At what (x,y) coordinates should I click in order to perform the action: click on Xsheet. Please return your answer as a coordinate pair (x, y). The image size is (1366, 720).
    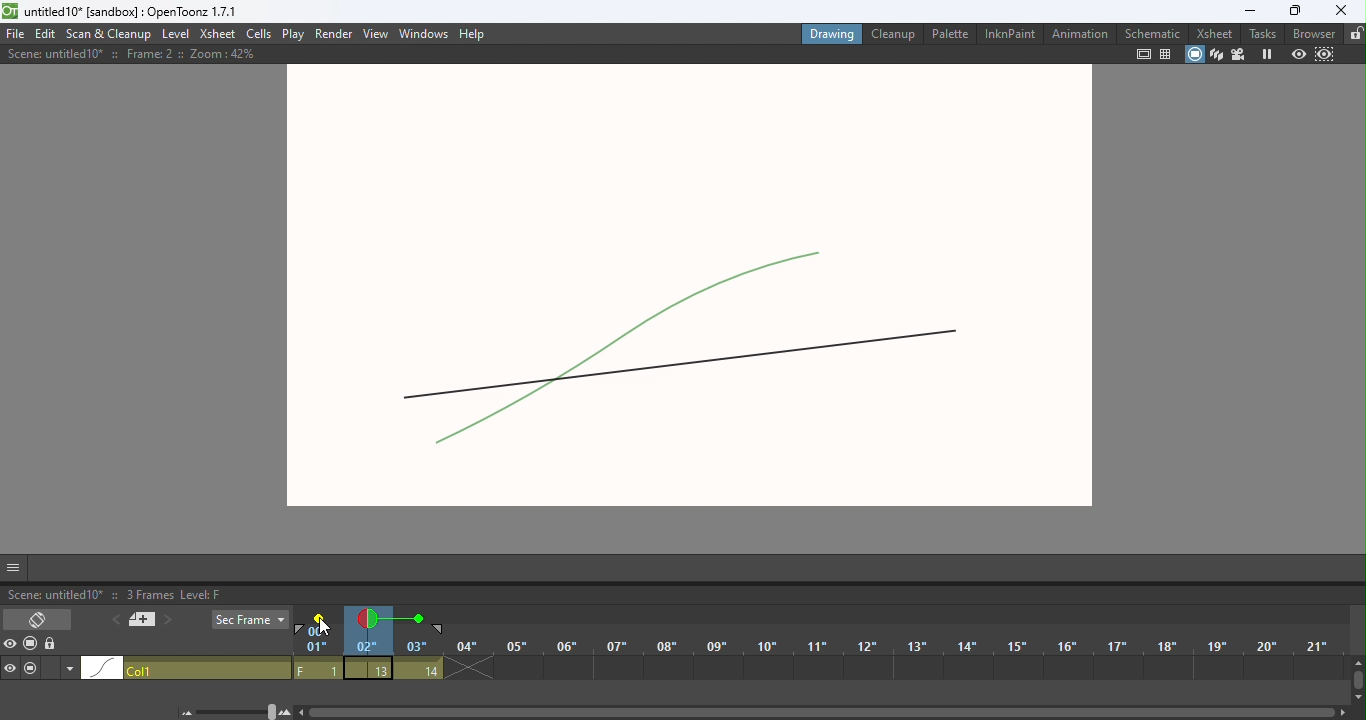
    Looking at the image, I should click on (217, 34).